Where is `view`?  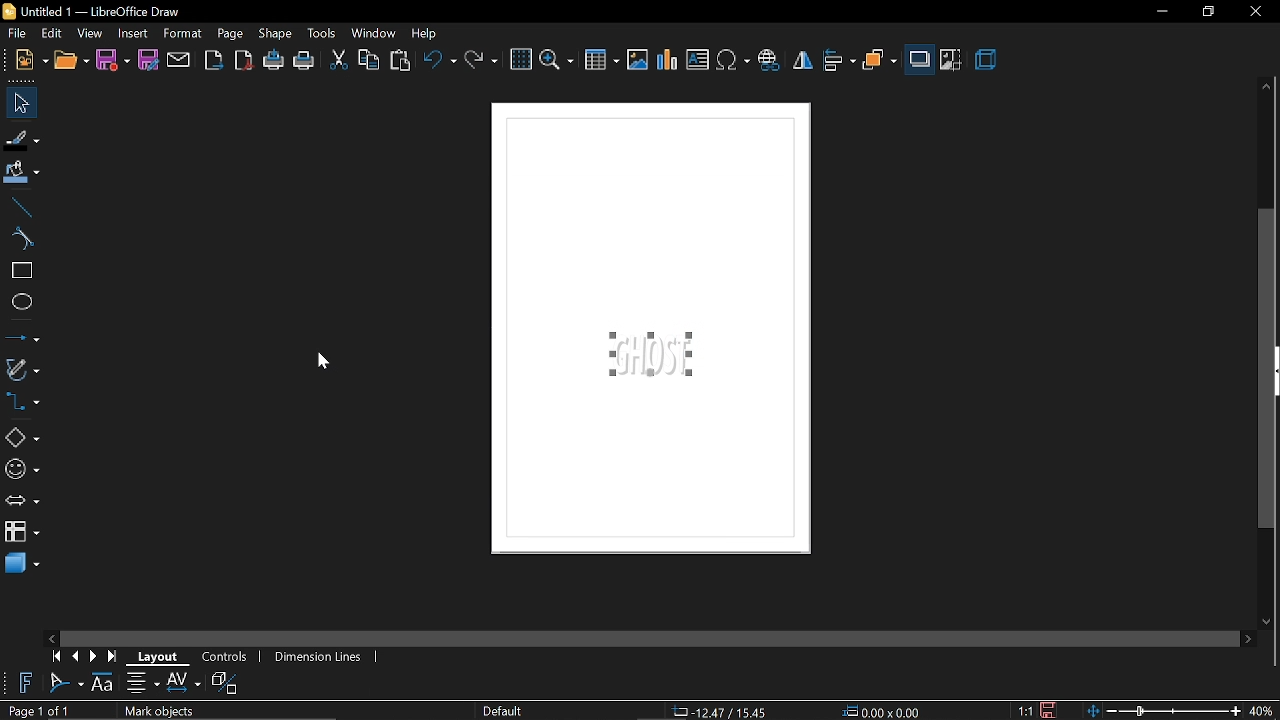 view is located at coordinates (90, 33).